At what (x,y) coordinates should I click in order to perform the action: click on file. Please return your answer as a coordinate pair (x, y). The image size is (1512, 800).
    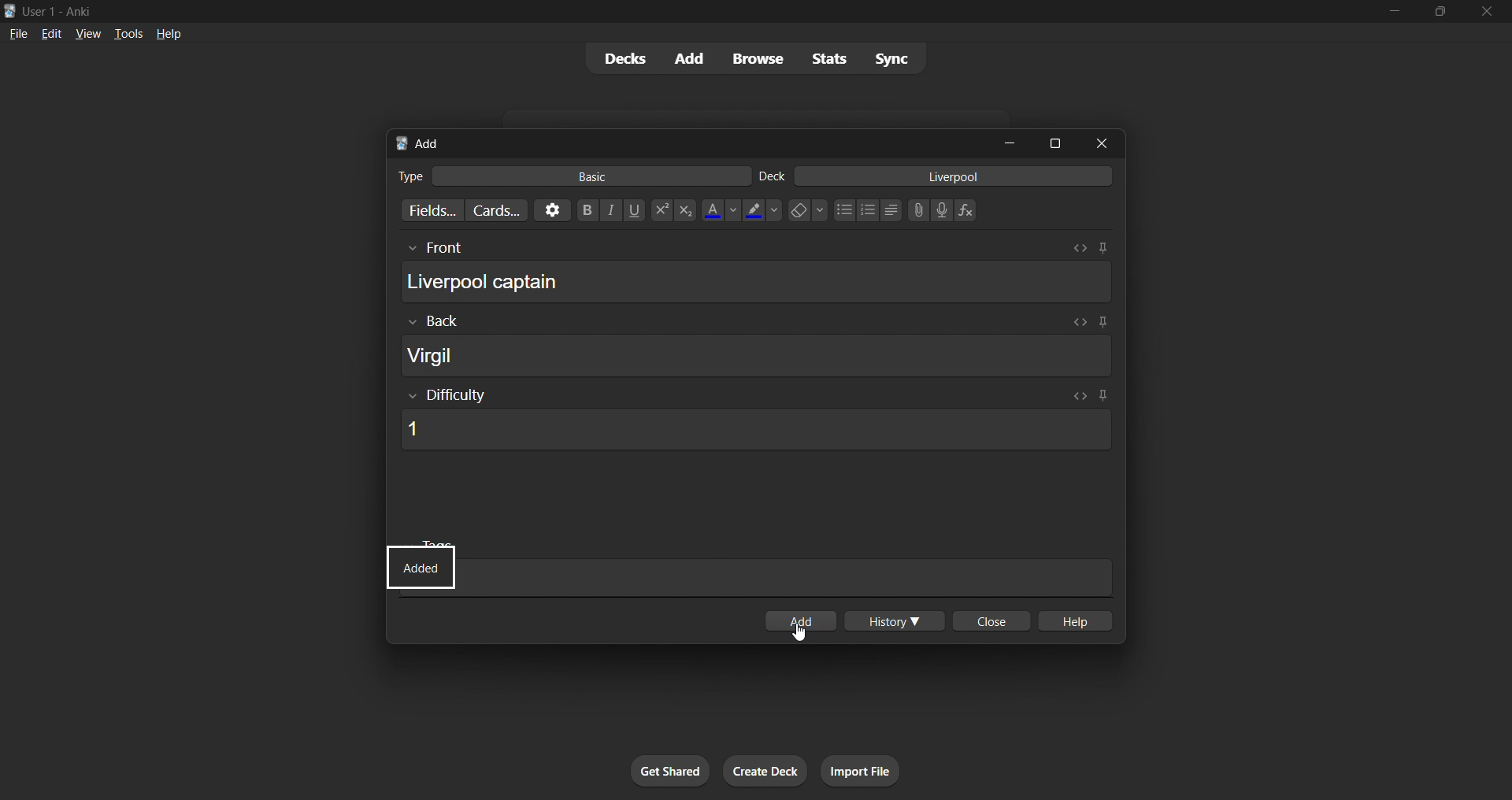
    Looking at the image, I should click on (18, 32).